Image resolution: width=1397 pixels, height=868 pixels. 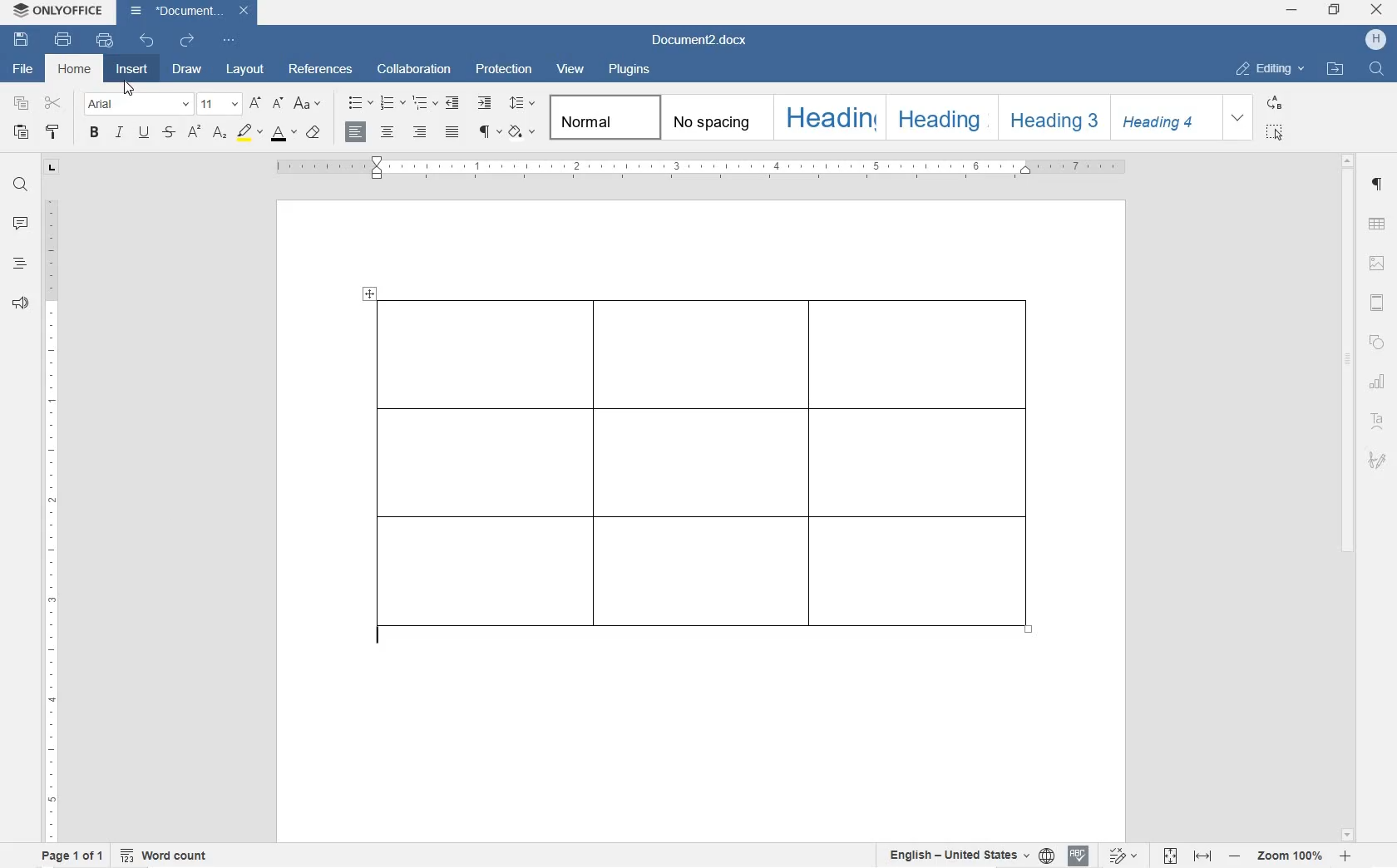 What do you see at coordinates (94, 134) in the screenshot?
I see `bold` at bounding box center [94, 134].